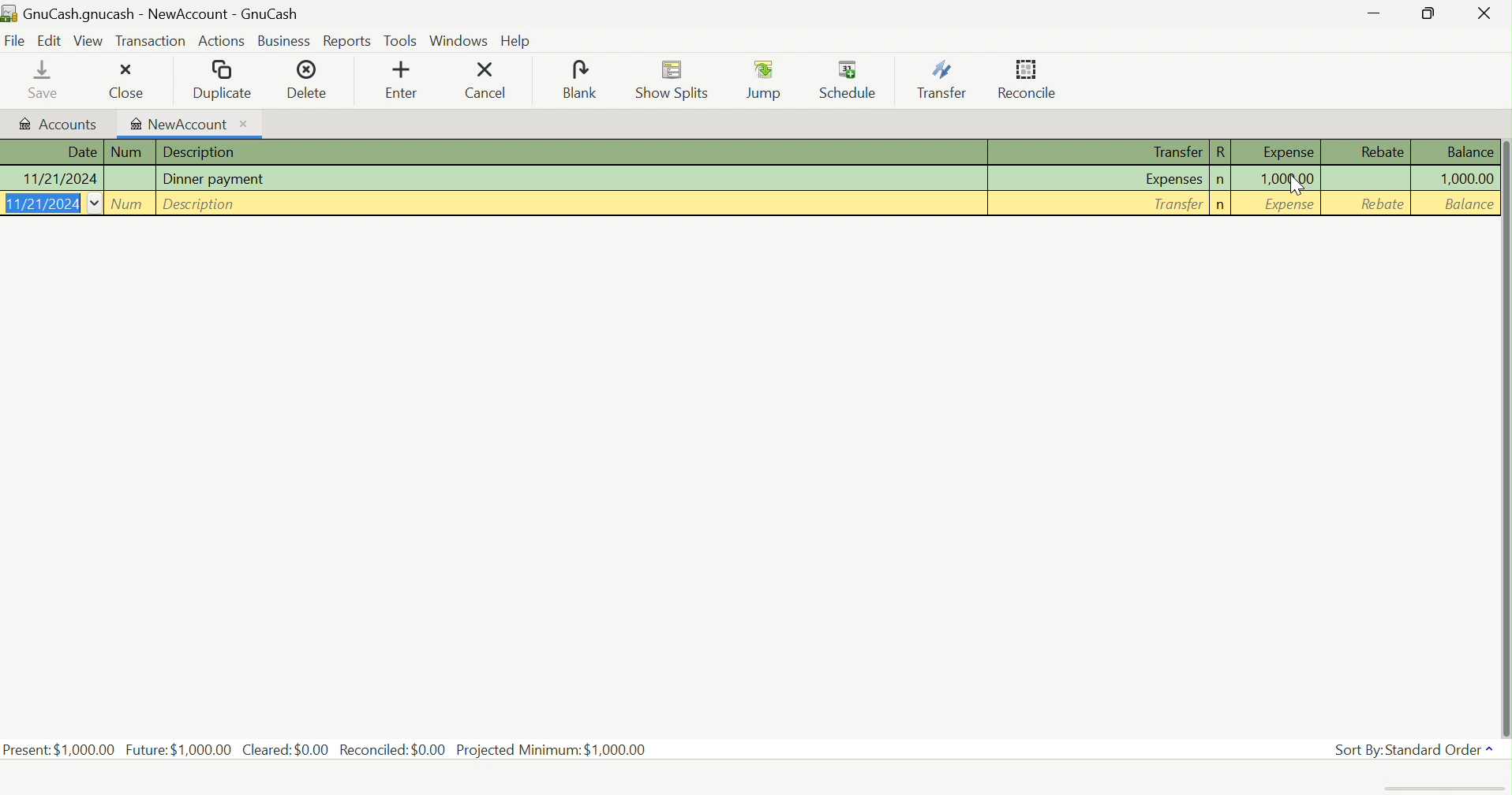  I want to click on Num, so click(130, 152).